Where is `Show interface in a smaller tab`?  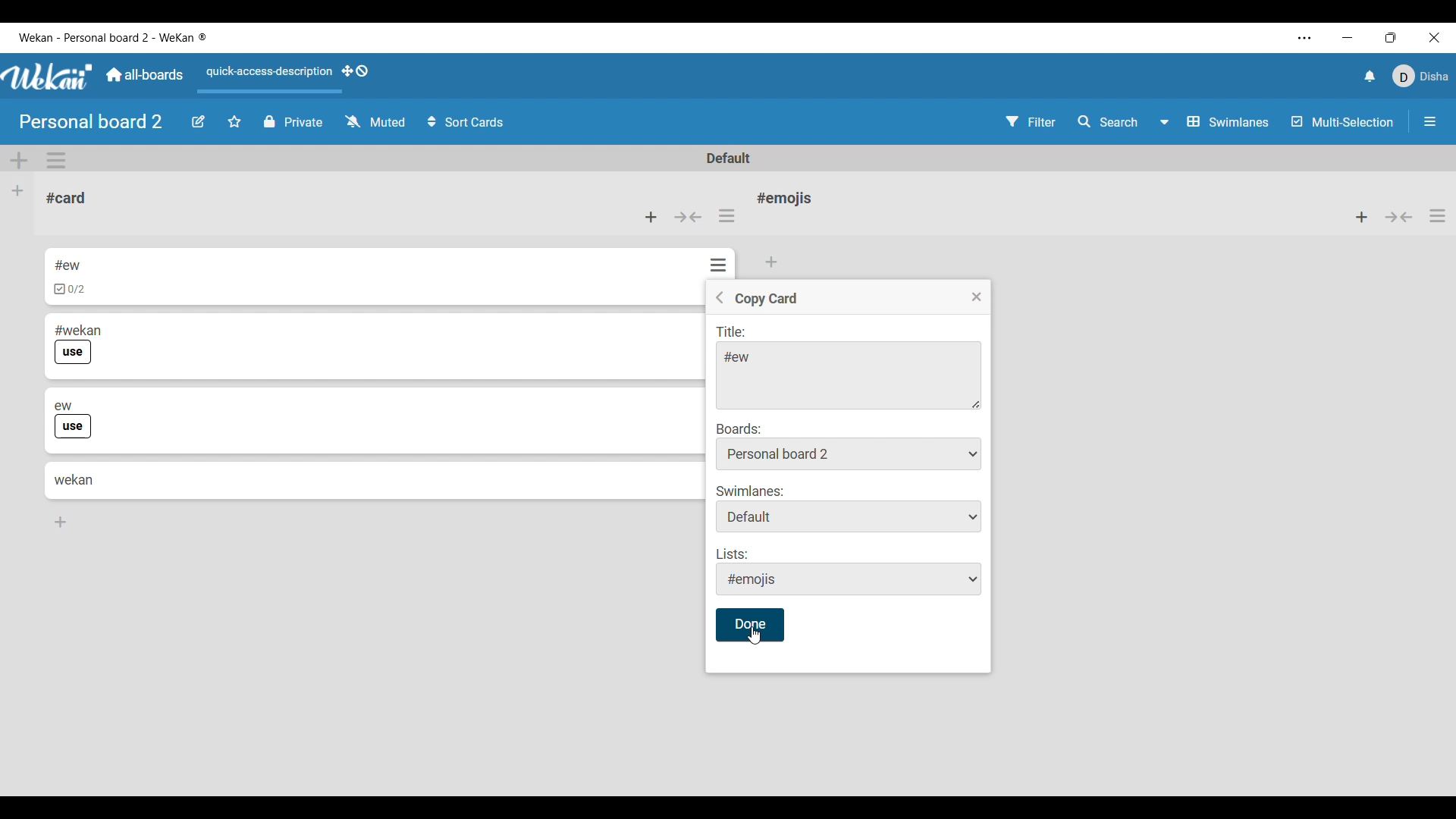
Show interface in a smaller tab is located at coordinates (1391, 37).